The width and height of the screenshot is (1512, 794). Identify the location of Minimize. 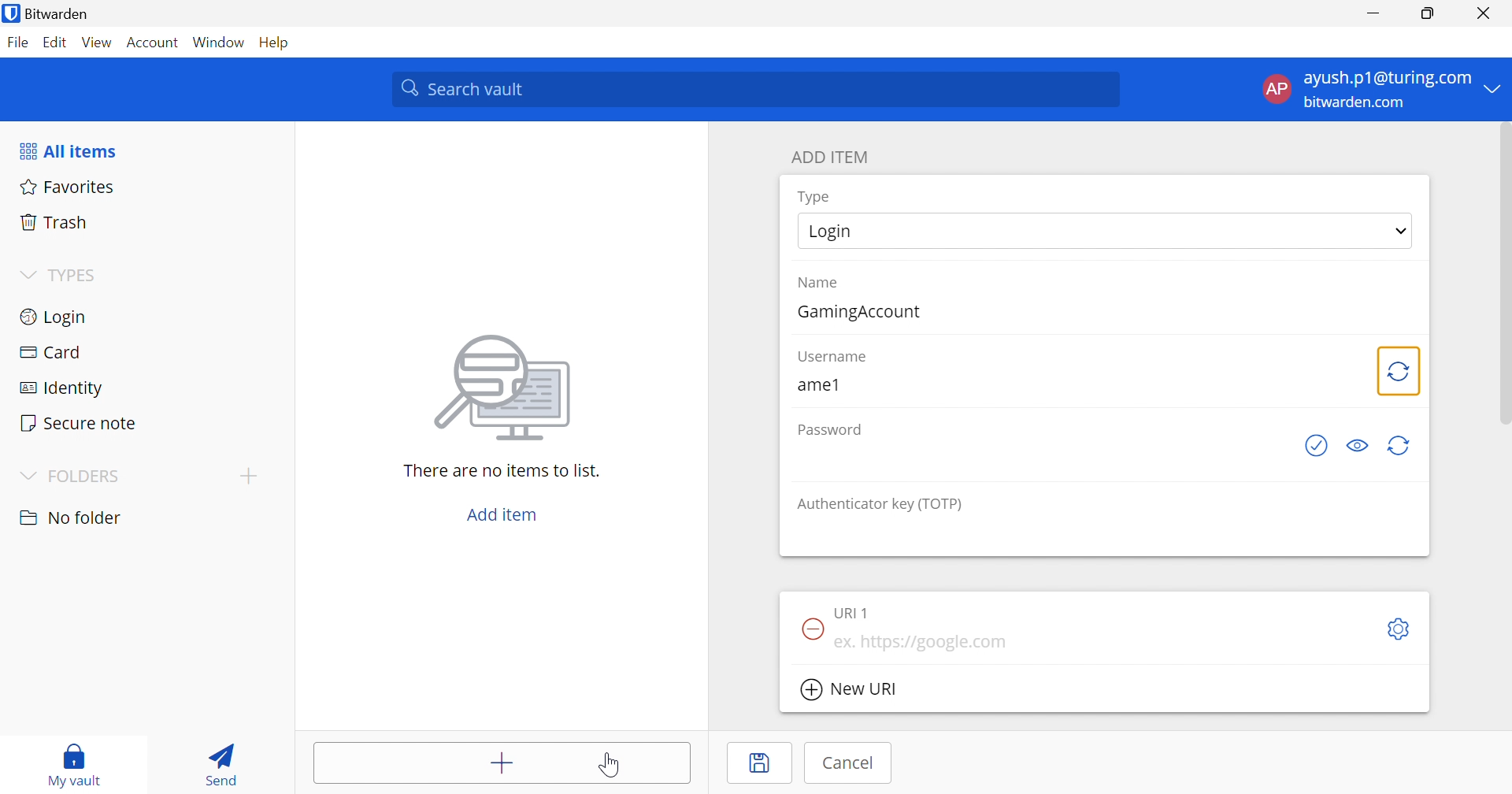
(1373, 14).